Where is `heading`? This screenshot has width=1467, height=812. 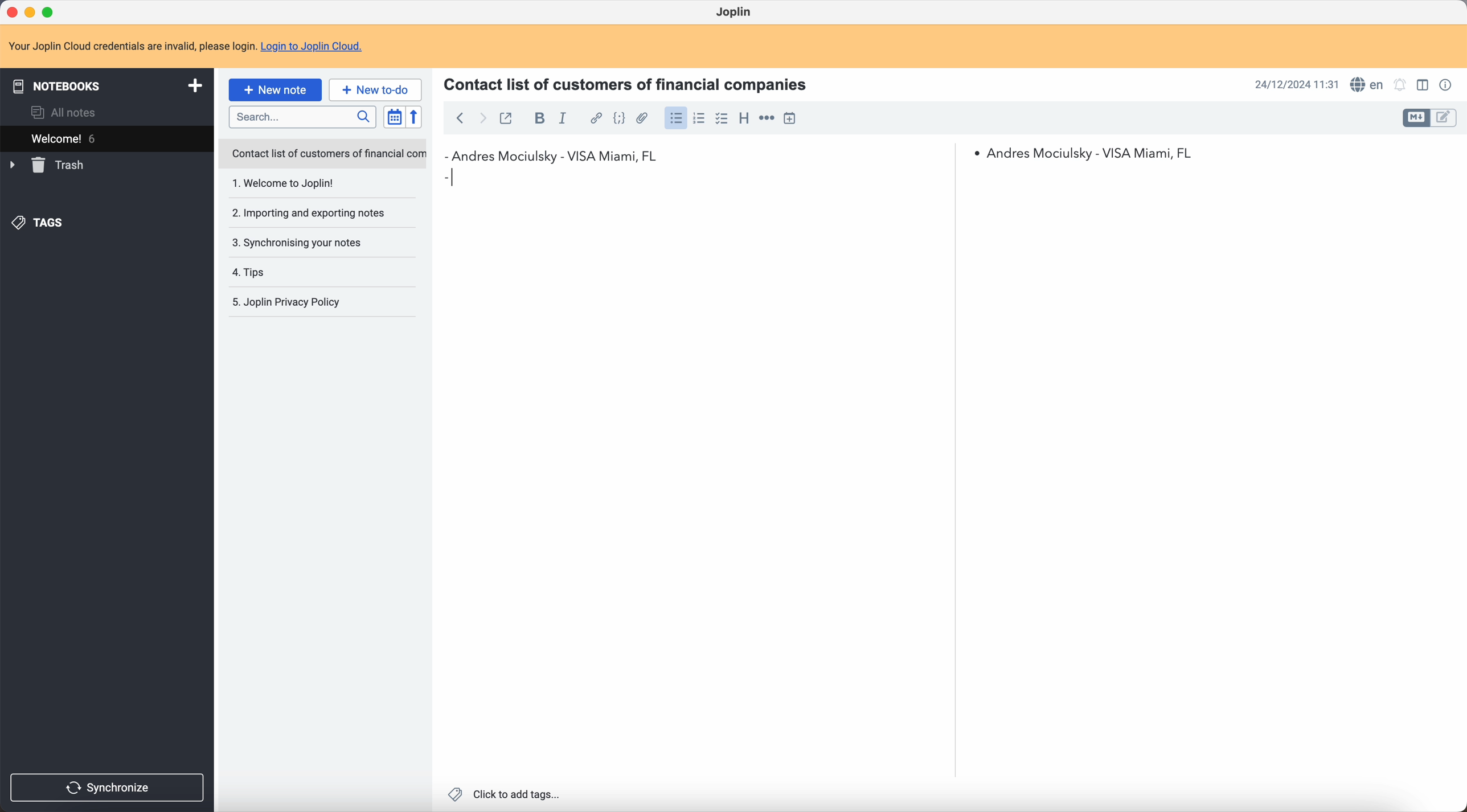
heading is located at coordinates (744, 119).